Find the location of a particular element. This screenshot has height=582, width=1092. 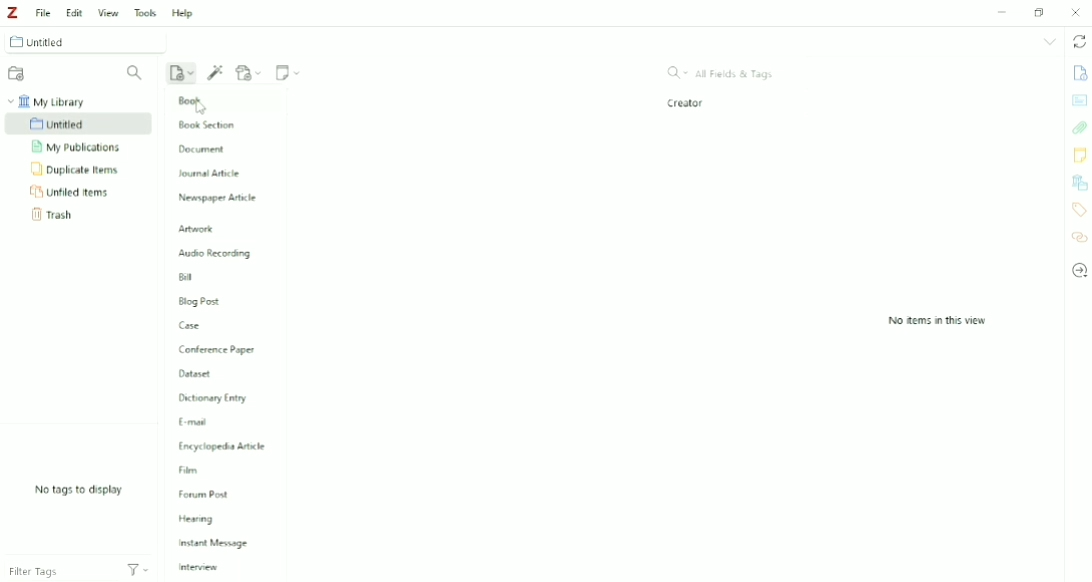

Related is located at coordinates (1079, 236).